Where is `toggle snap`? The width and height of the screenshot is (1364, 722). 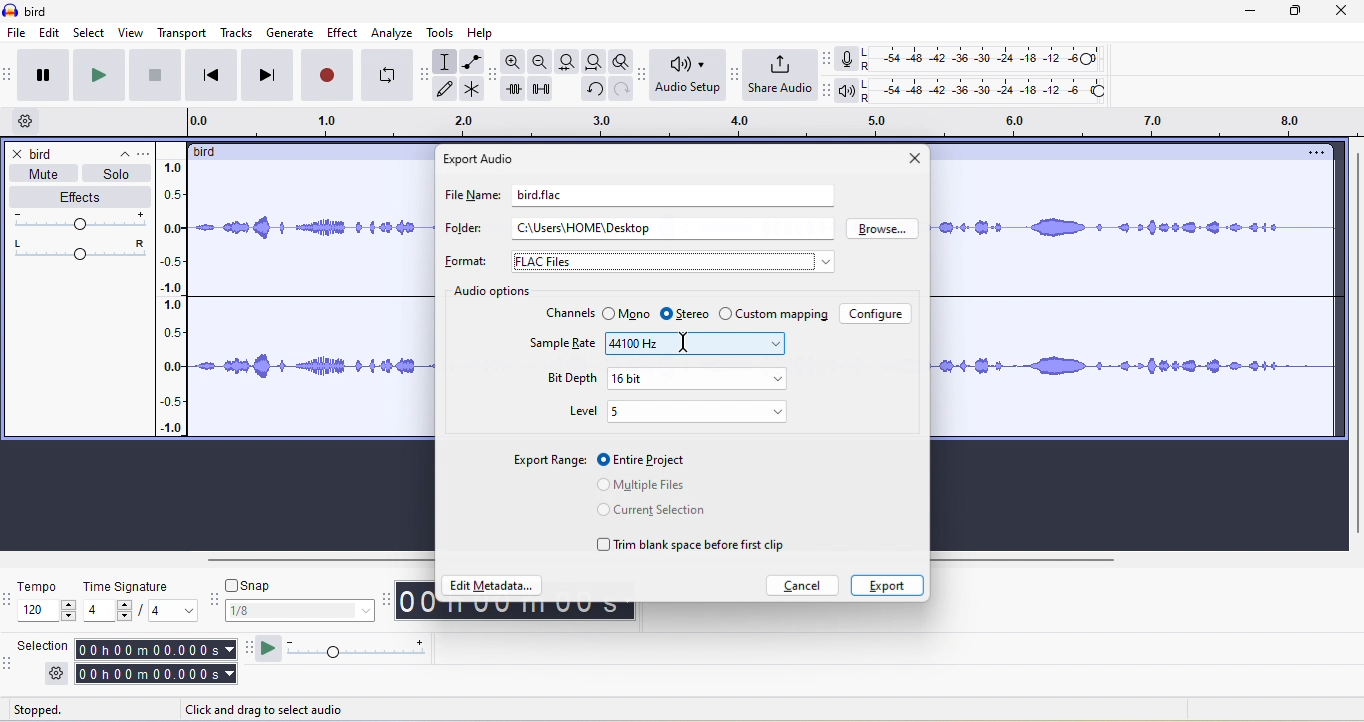
toggle snap is located at coordinates (252, 583).